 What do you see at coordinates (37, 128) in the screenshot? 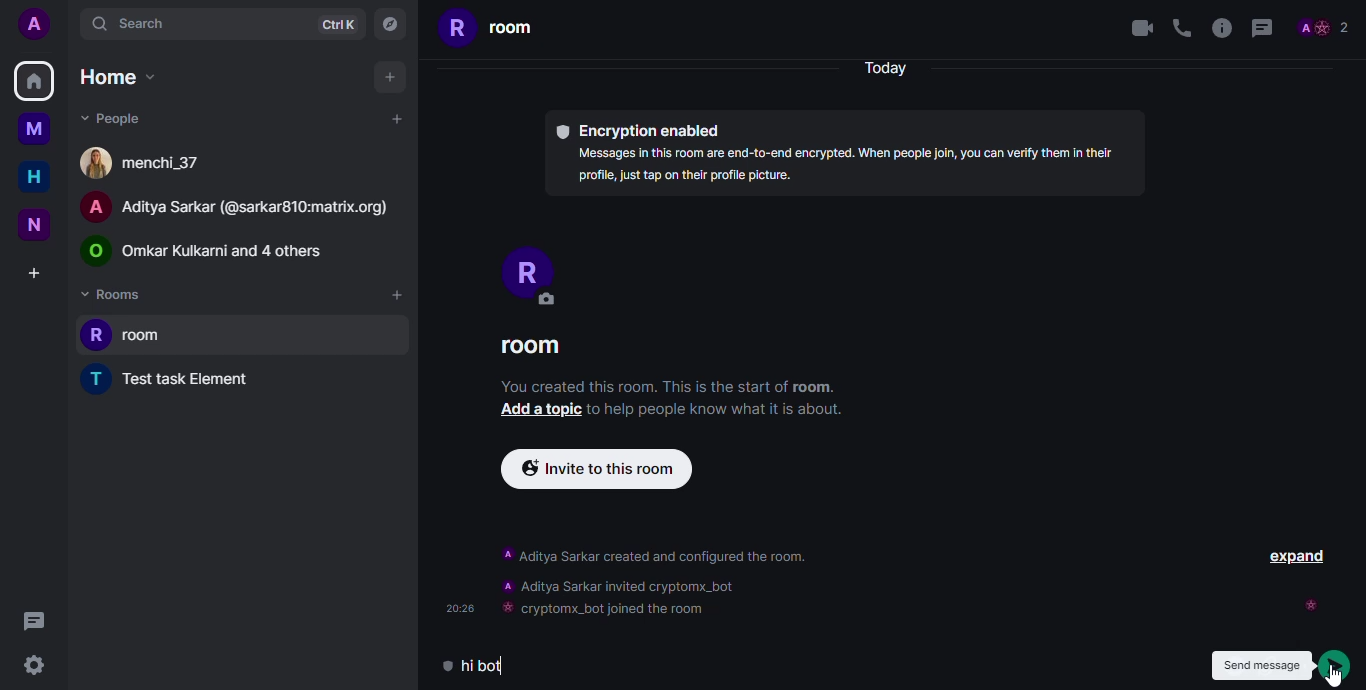
I see `myspace` at bounding box center [37, 128].